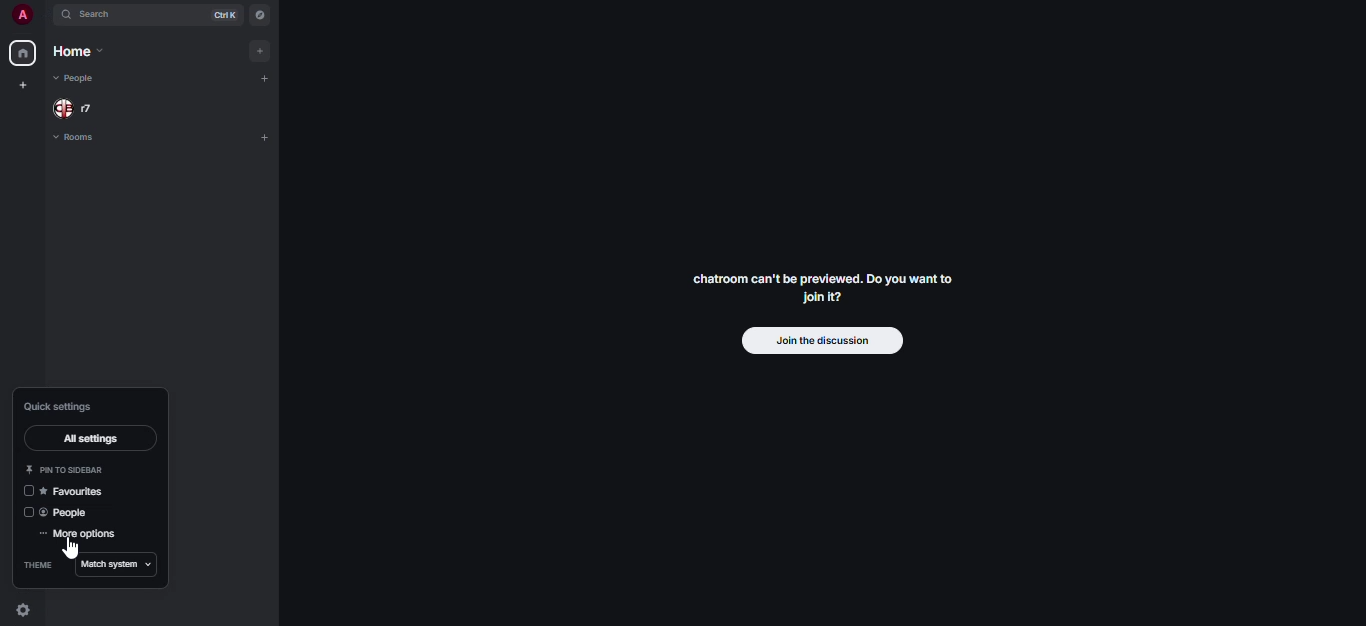 Image resolution: width=1366 pixels, height=626 pixels. Describe the element at coordinates (28, 513) in the screenshot. I see `click to enable` at that location.